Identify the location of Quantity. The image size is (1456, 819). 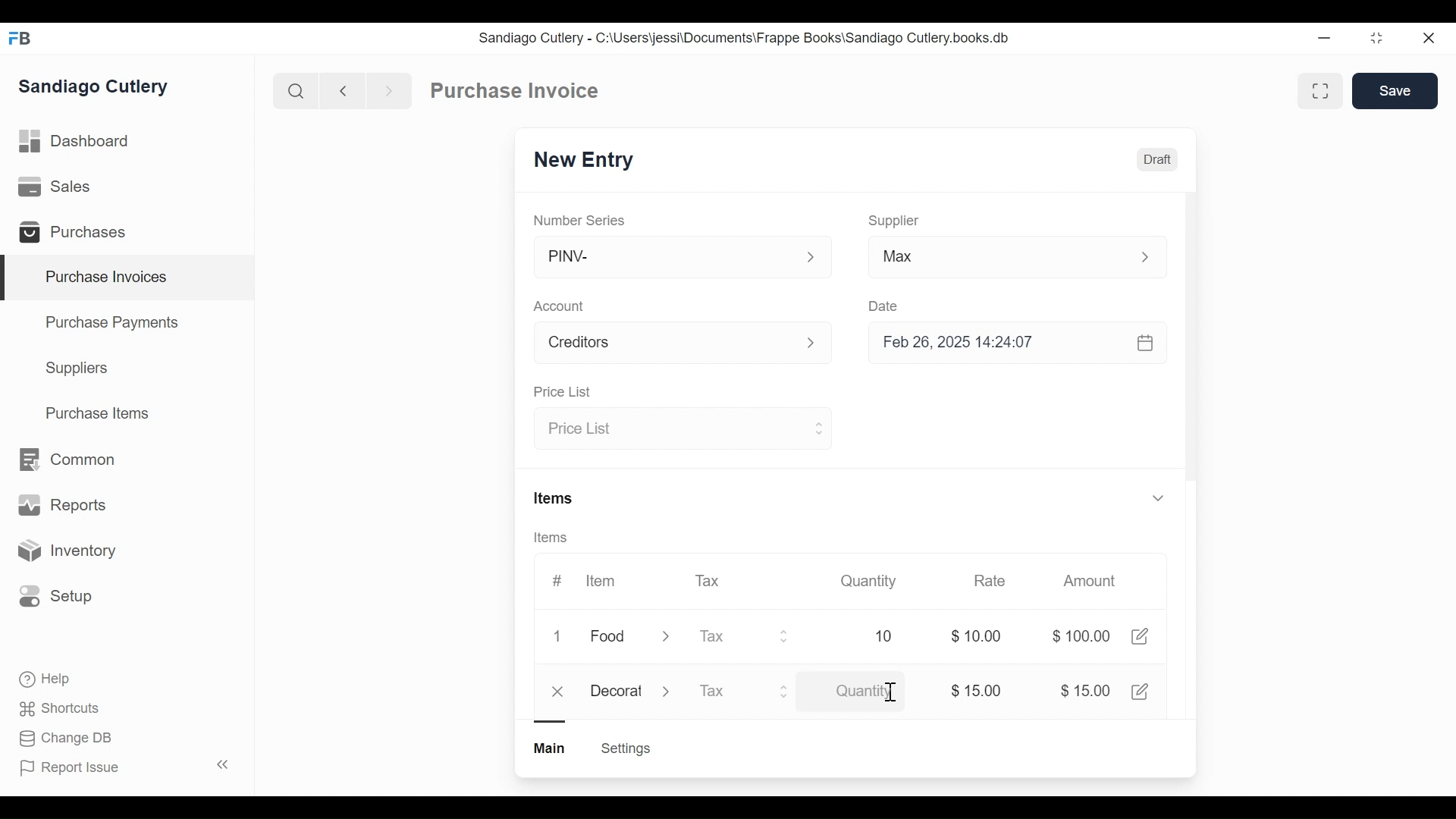
(867, 580).